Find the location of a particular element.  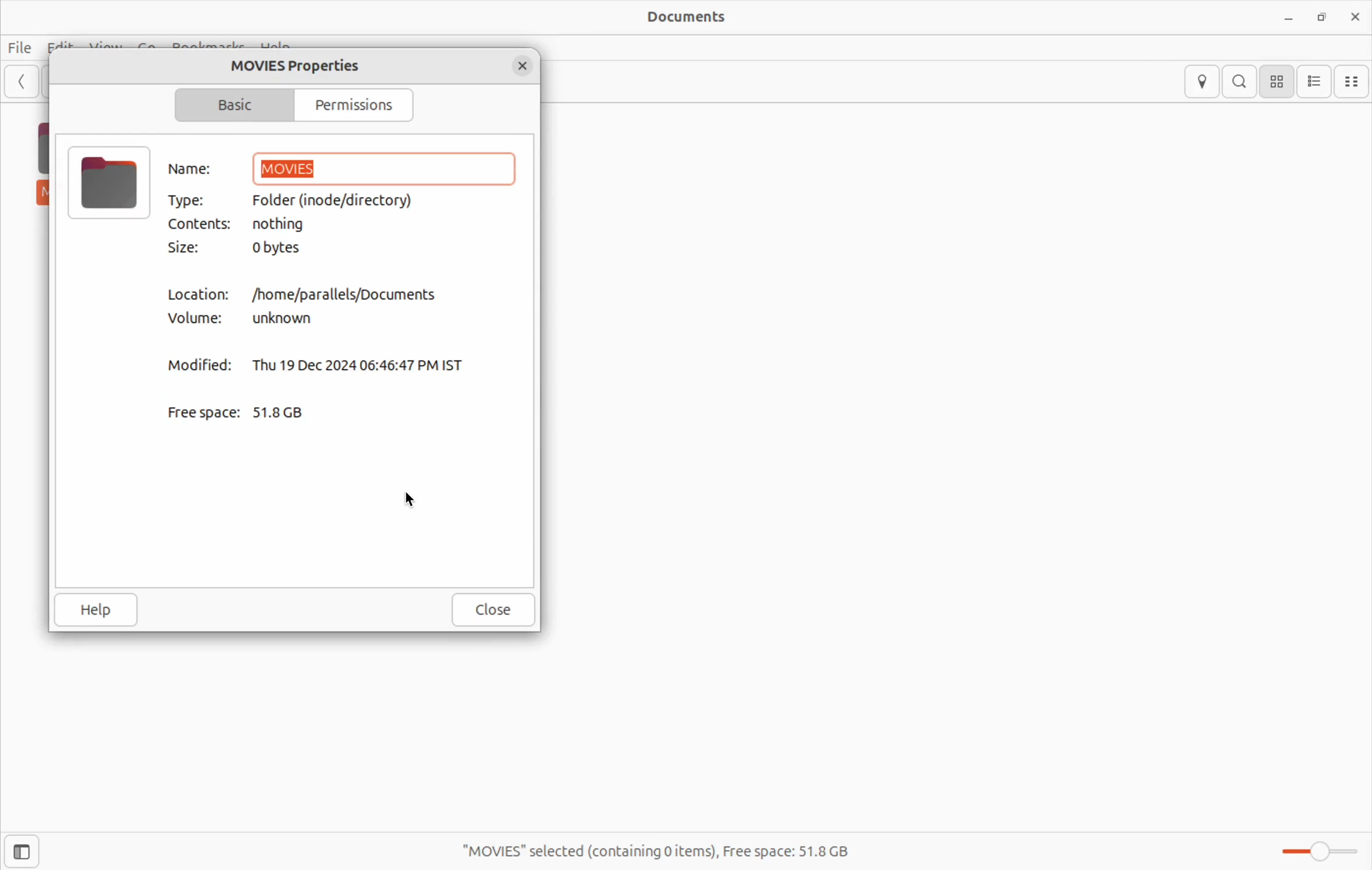

Type: is located at coordinates (197, 202).